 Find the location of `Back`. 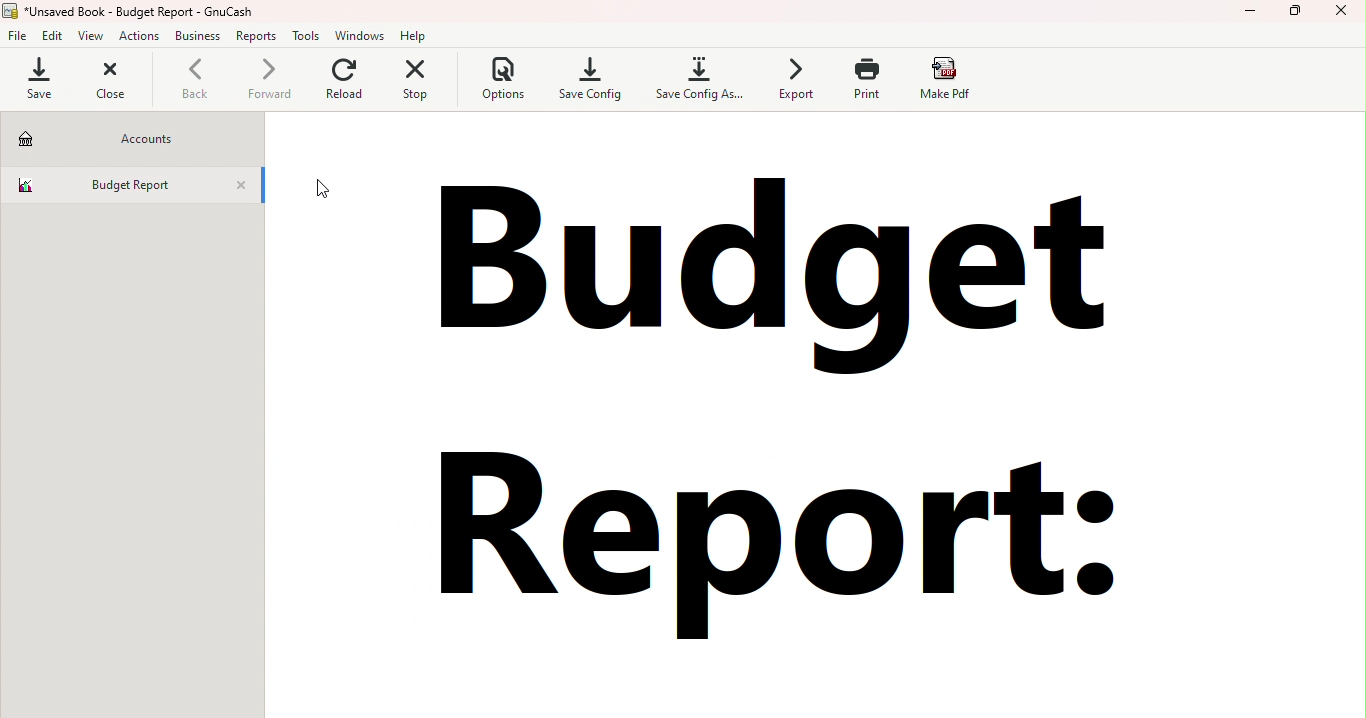

Back is located at coordinates (194, 82).